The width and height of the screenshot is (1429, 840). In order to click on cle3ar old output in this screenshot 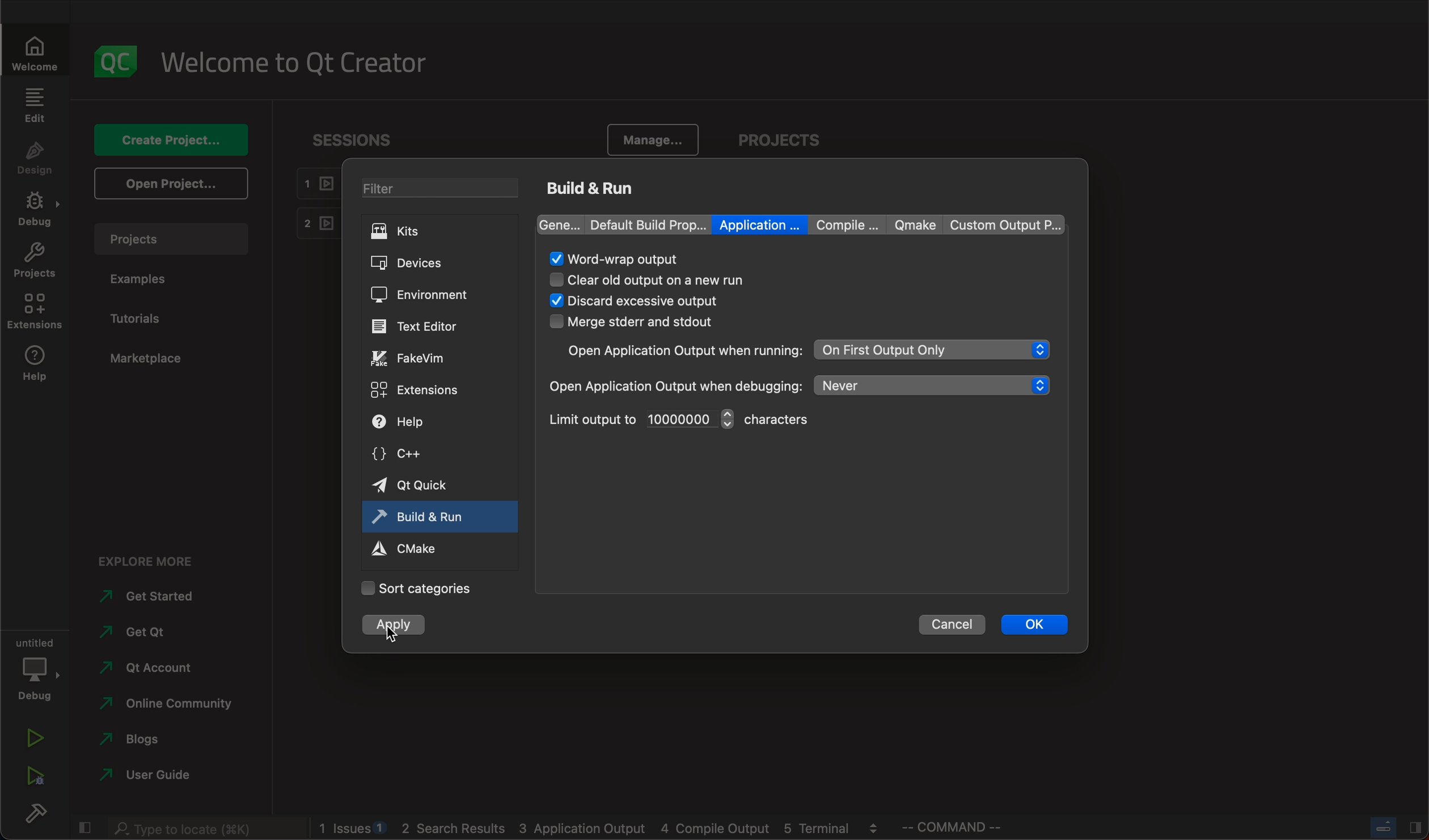, I will do `click(673, 280)`.